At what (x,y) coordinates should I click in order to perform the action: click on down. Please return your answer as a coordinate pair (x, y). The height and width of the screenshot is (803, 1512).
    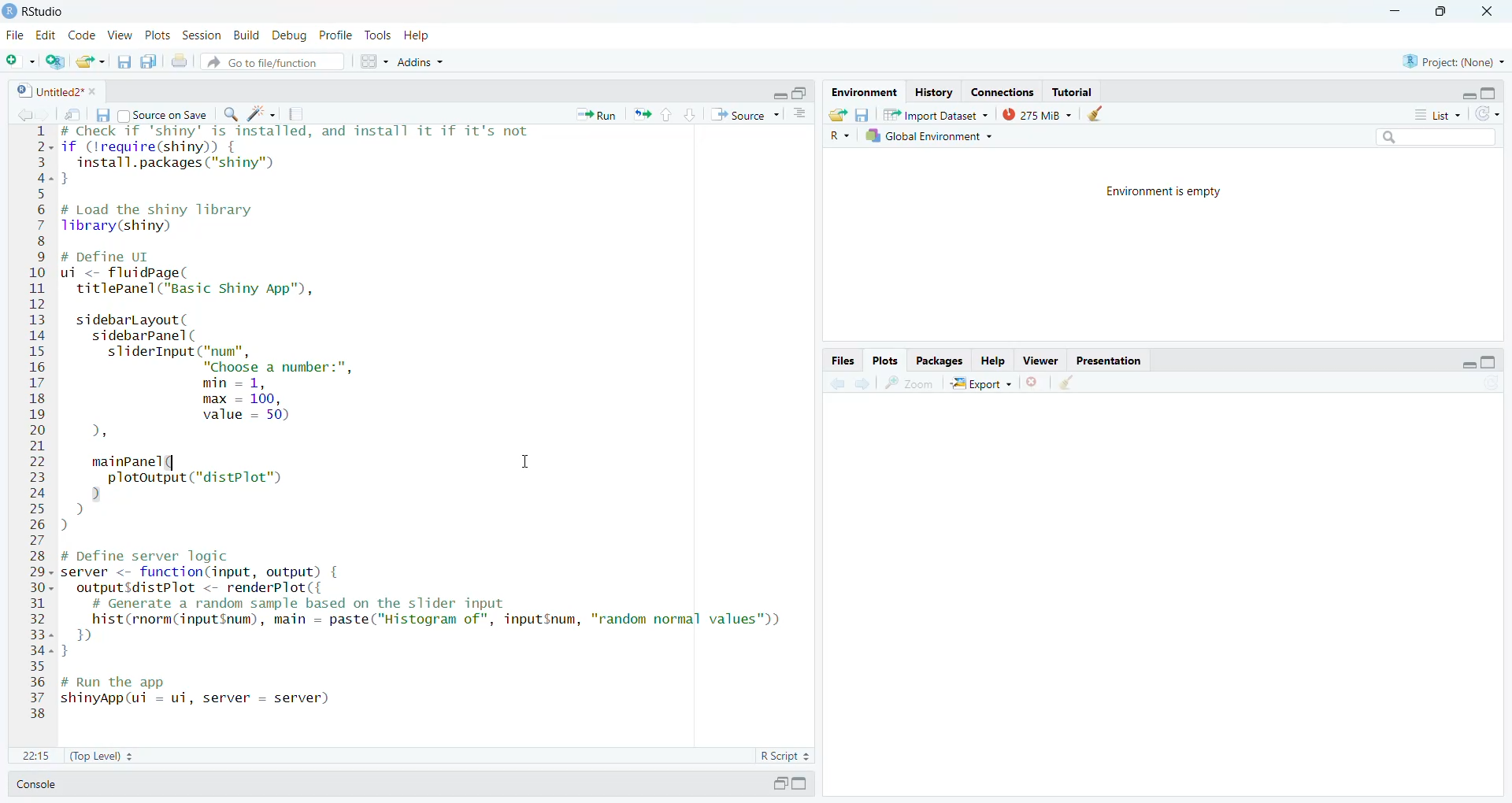
    Looking at the image, I should click on (691, 115).